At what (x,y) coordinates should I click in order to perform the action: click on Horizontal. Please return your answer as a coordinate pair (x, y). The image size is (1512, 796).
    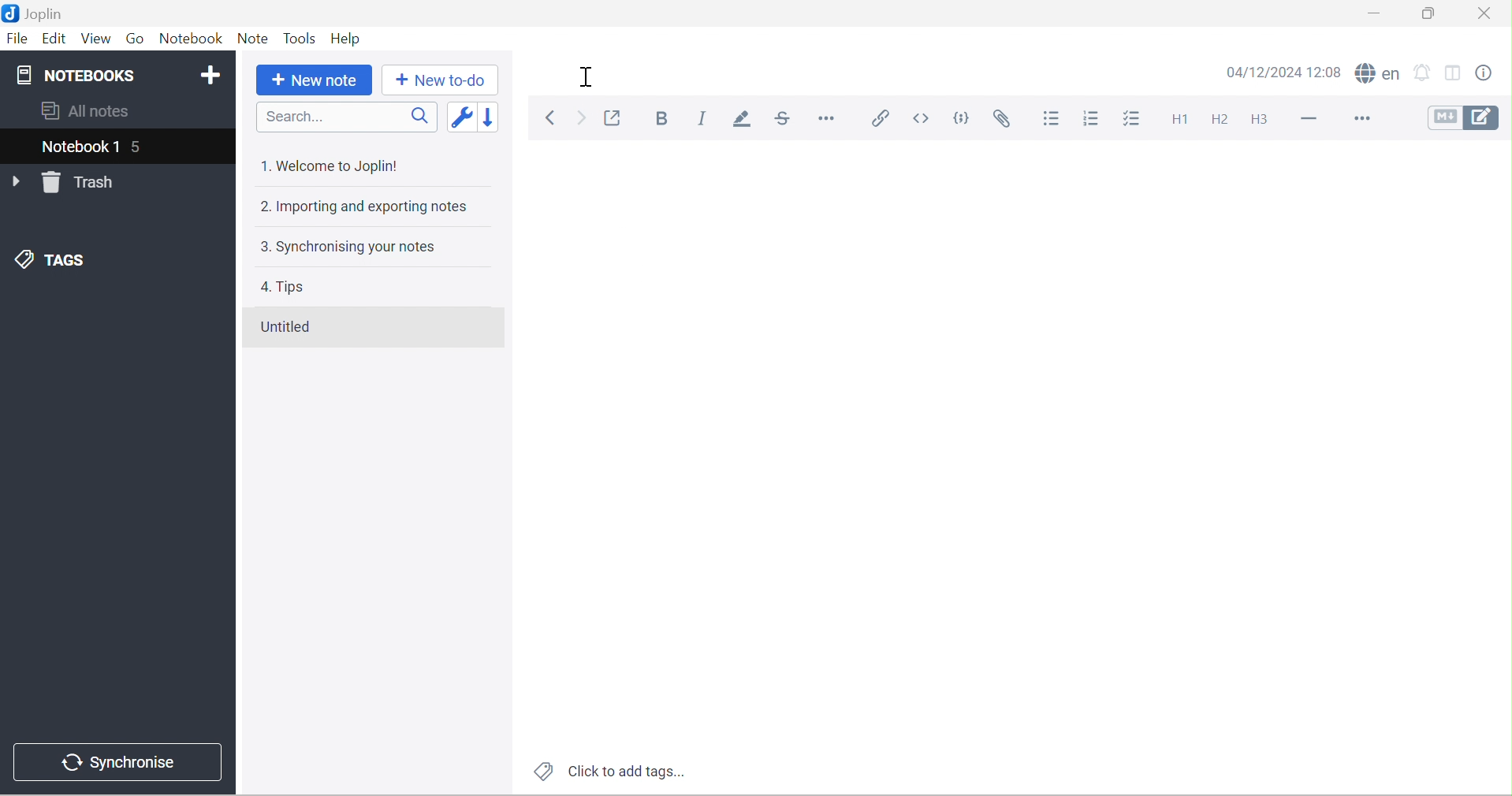
    Looking at the image, I should click on (830, 121).